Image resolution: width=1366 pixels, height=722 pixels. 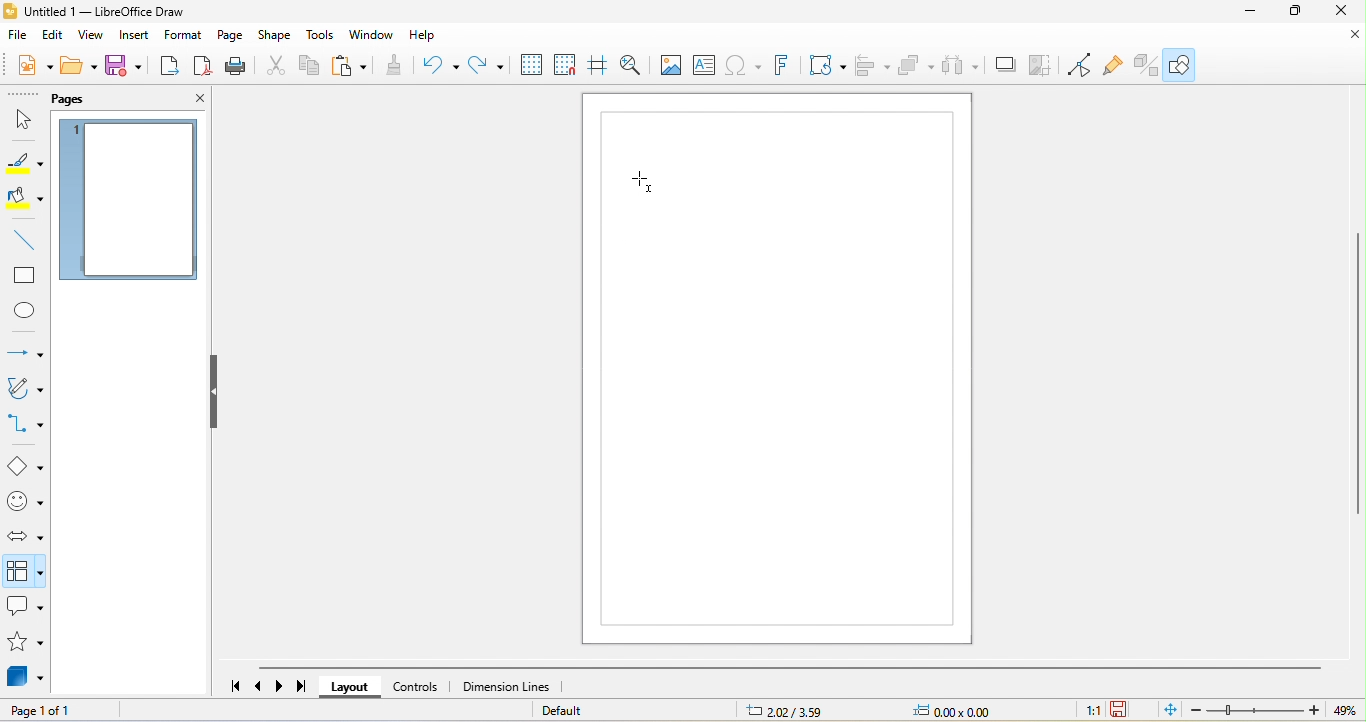 I want to click on scroll to previous page, so click(x=260, y=687).